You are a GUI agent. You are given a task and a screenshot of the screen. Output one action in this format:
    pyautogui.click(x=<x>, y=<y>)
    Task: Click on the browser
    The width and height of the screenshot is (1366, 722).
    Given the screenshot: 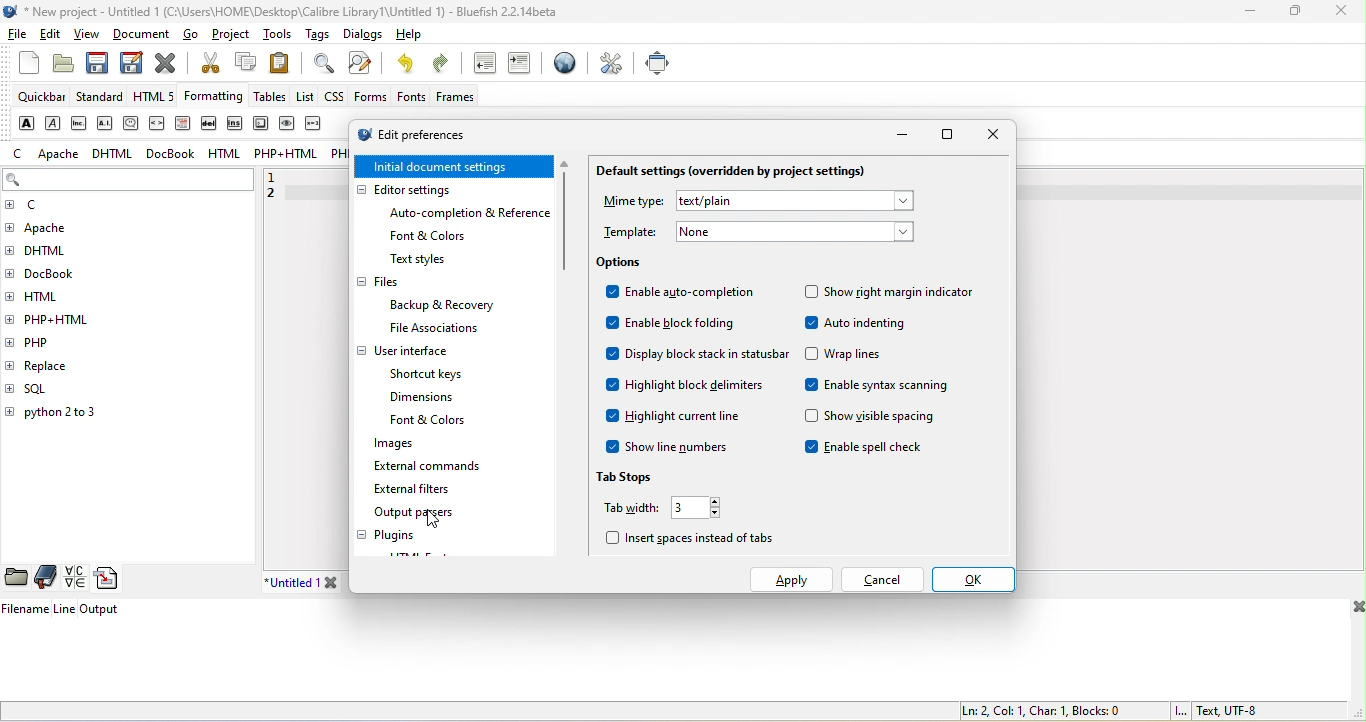 What is the action you would take?
    pyautogui.click(x=562, y=67)
    